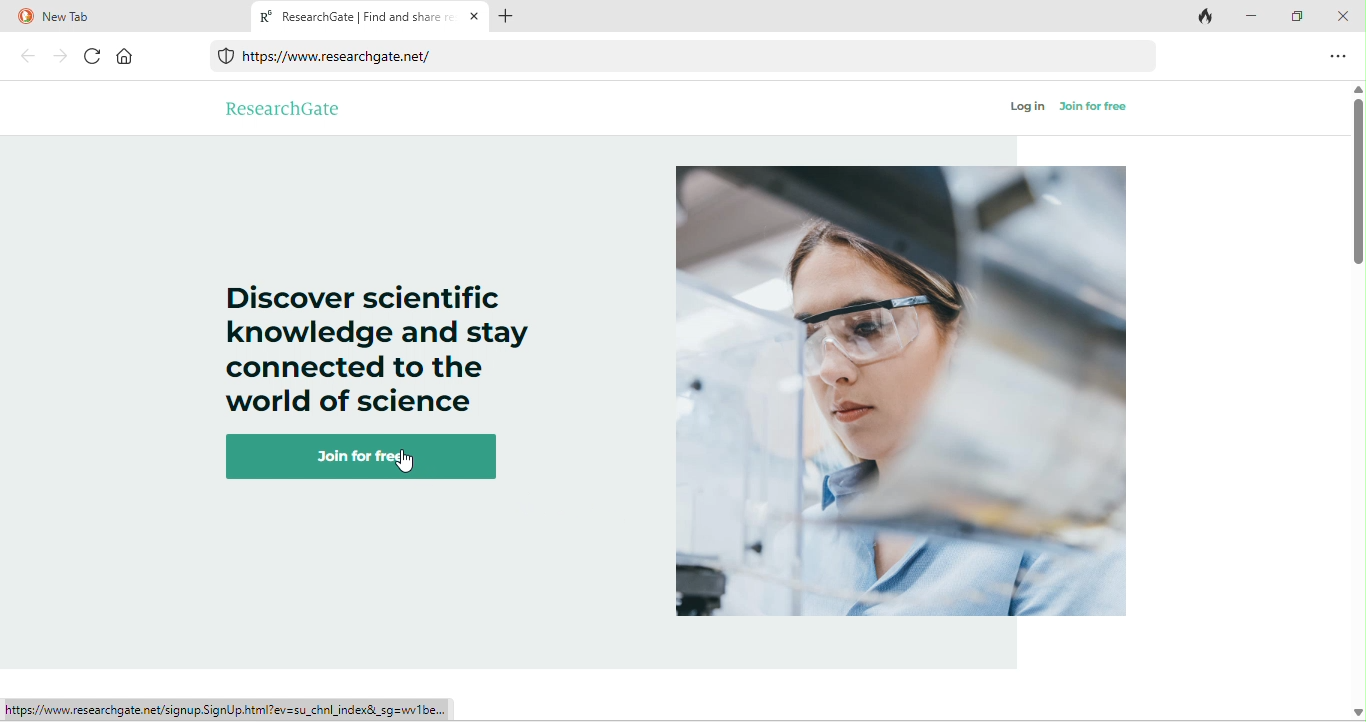  I want to click on Macsafe, so click(227, 58).